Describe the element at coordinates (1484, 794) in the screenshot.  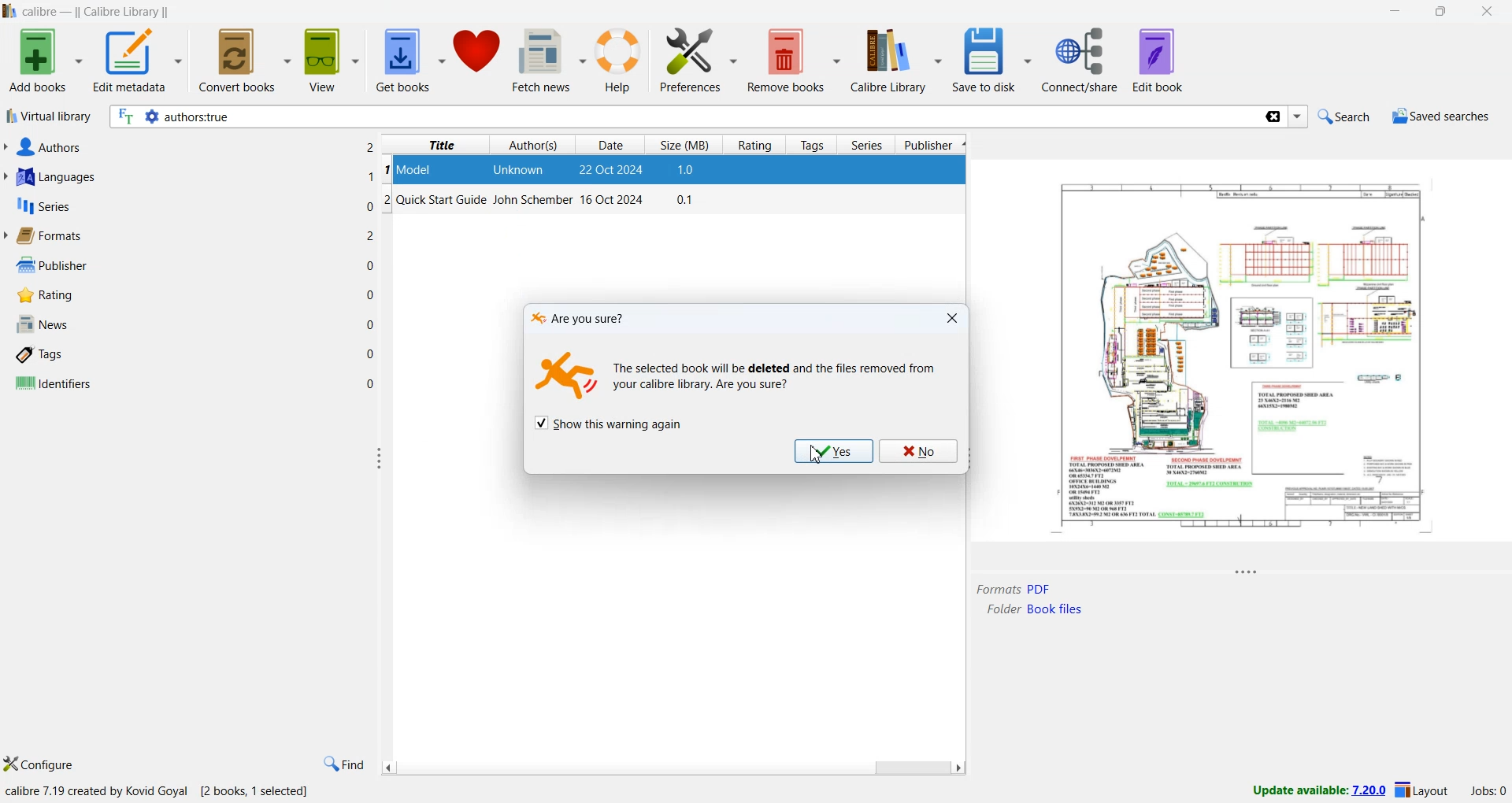
I see `jobs` at that location.